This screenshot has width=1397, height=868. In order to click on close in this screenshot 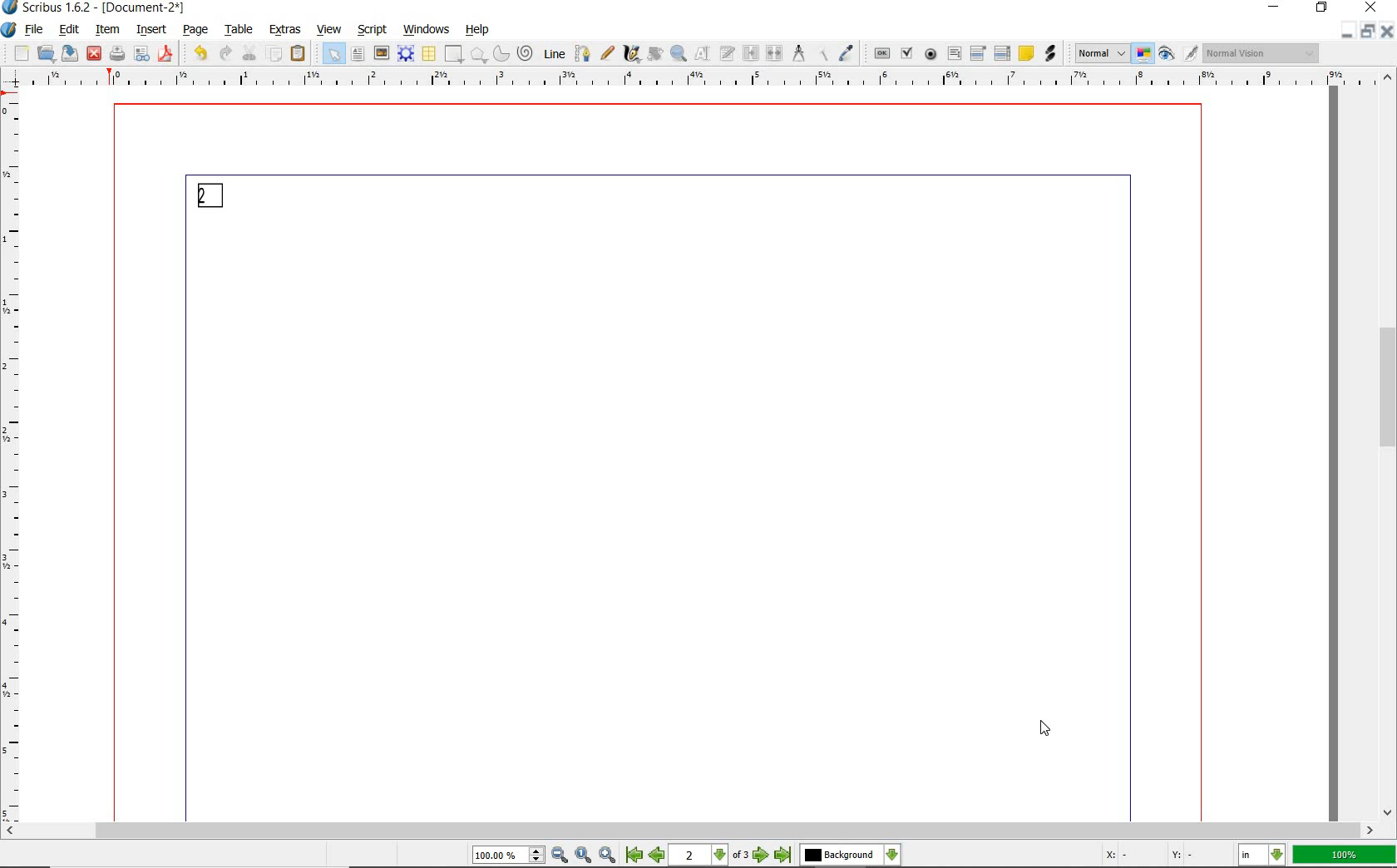, I will do `click(1370, 8)`.